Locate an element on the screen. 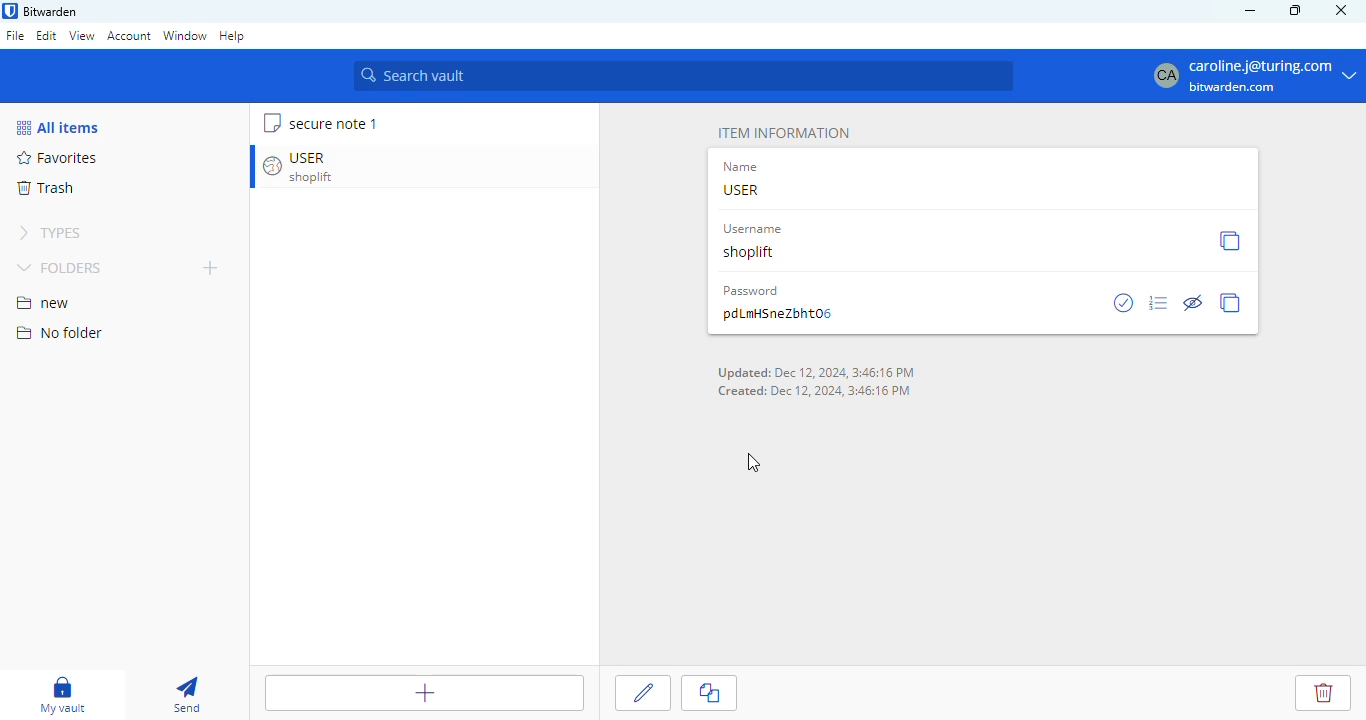  favorites is located at coordinates (55, 158).